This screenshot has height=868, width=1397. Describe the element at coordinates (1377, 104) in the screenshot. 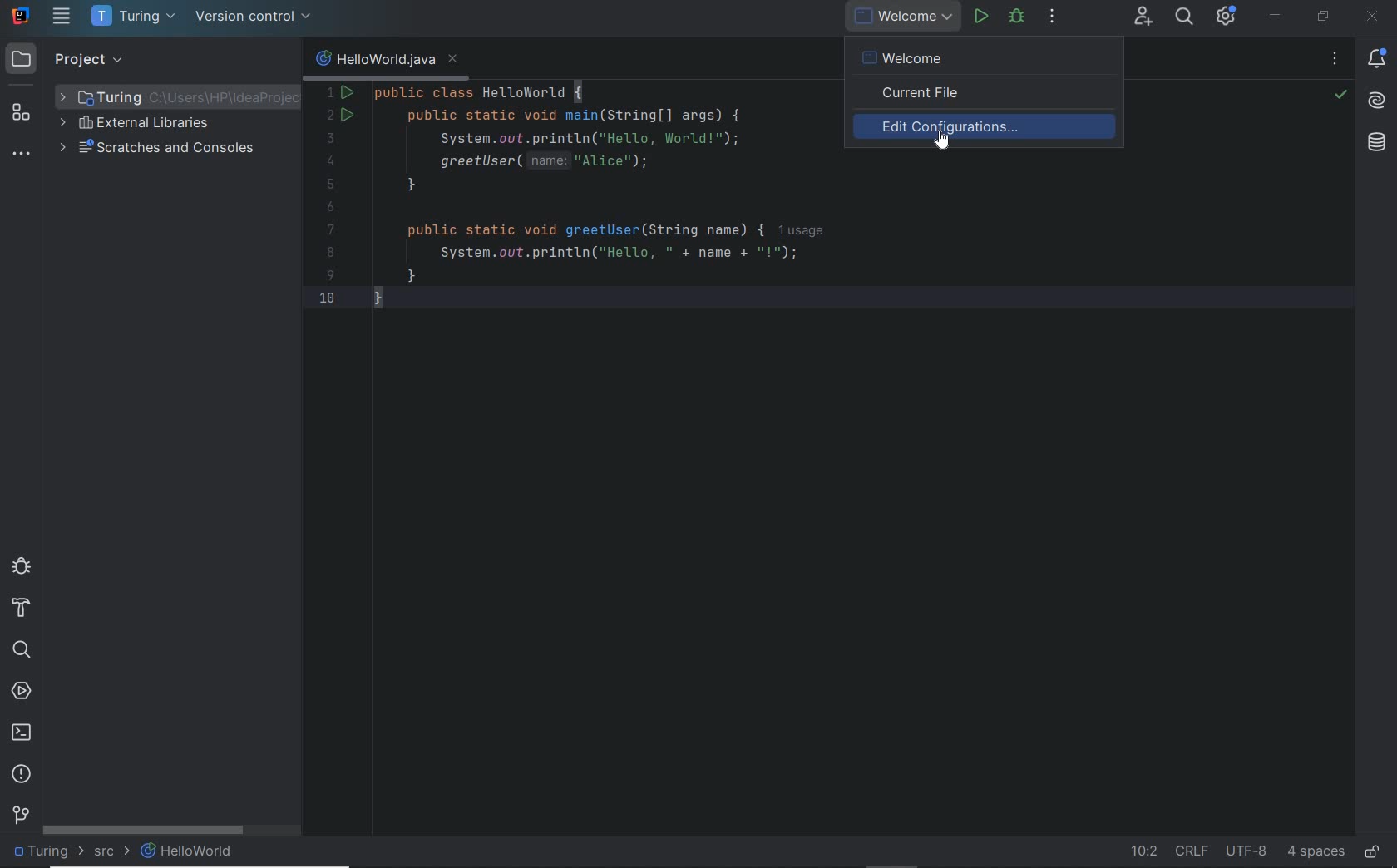

I see `AI Assistant` at that location.